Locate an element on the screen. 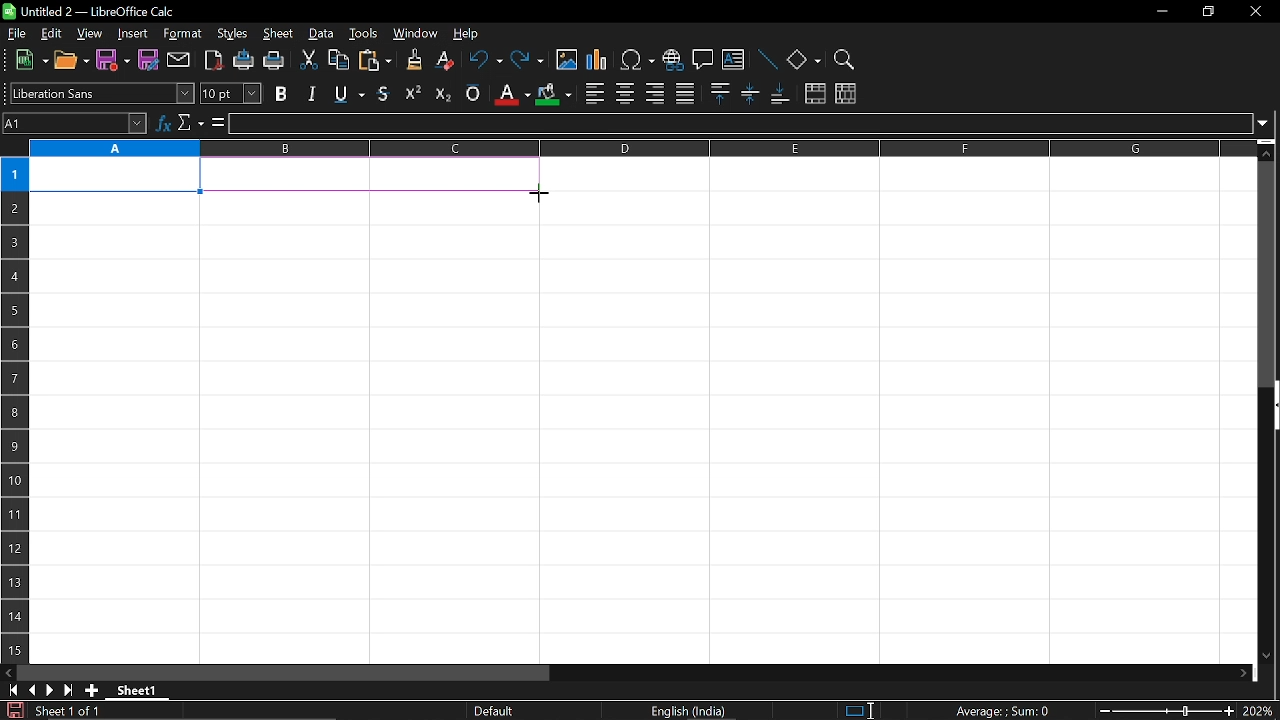 This screenshot has height=720, width=1280. insert comment is located at coordinates (702, 60).